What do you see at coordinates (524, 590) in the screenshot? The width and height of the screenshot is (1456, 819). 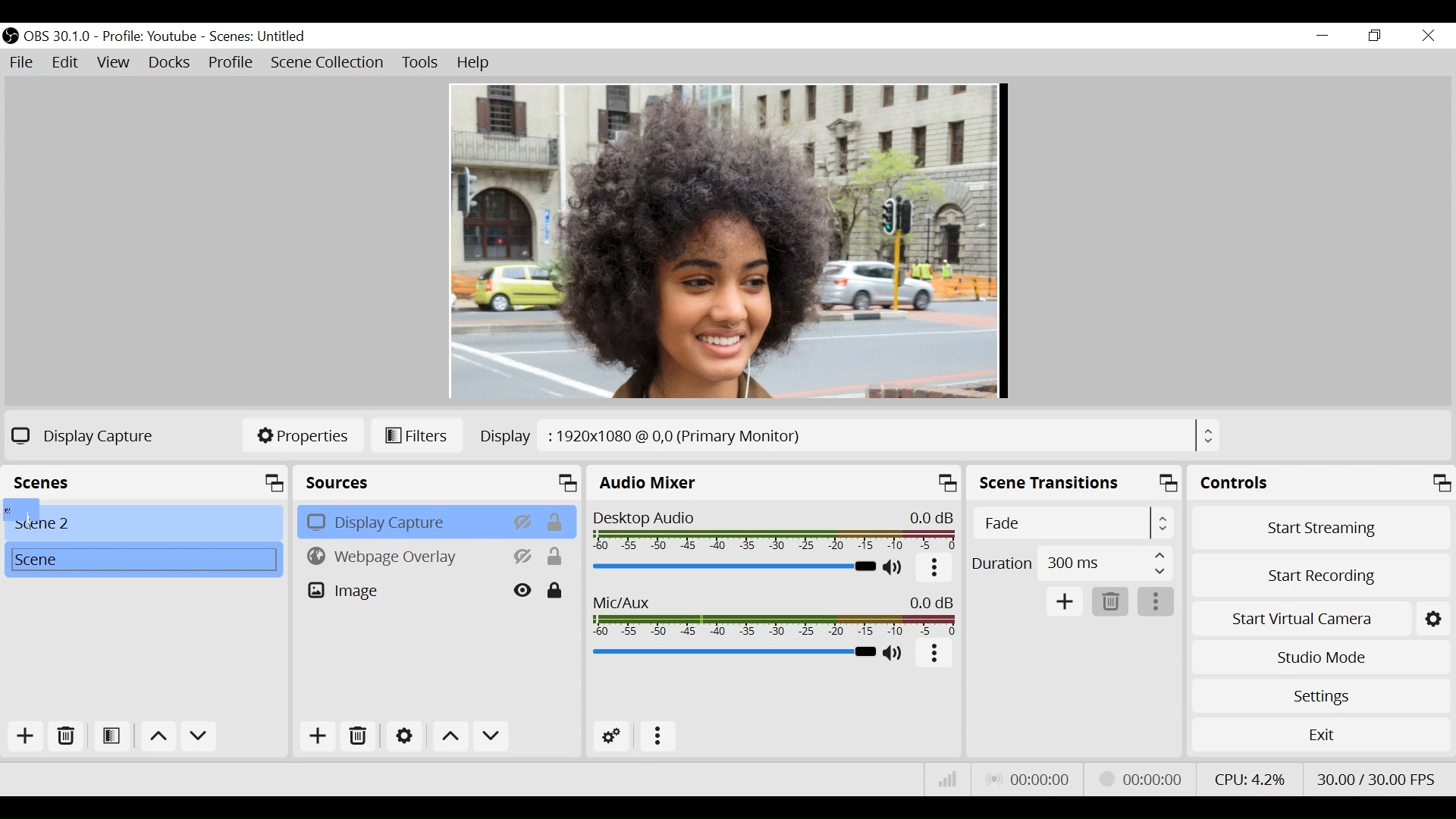 I see `Hide/Display` at bounding box center [524, 590].